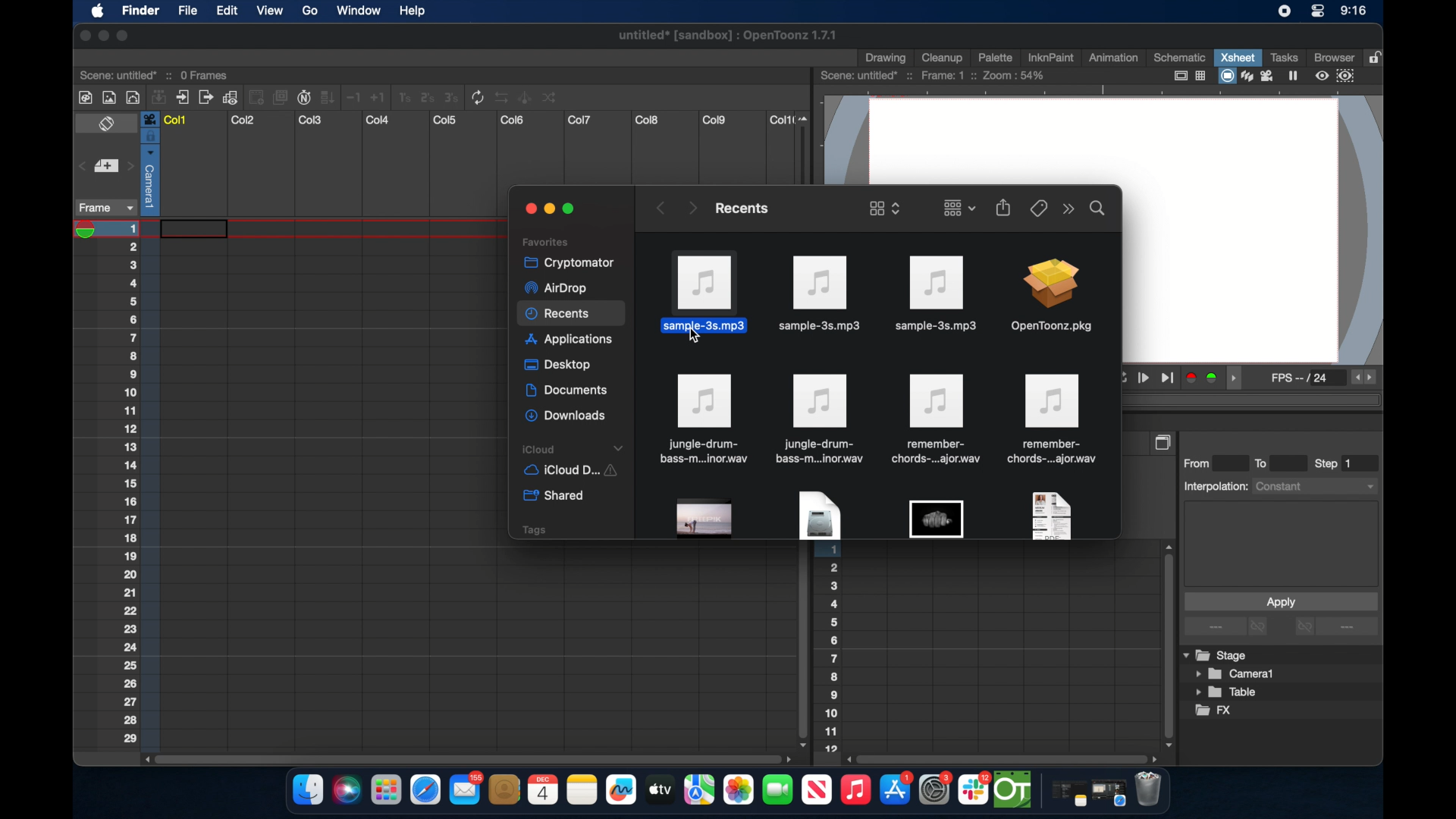  What do you see at coordinates (1284, 11) in the screenshot?
I see `screen recorder icon` at bounding box center [1284, 11].